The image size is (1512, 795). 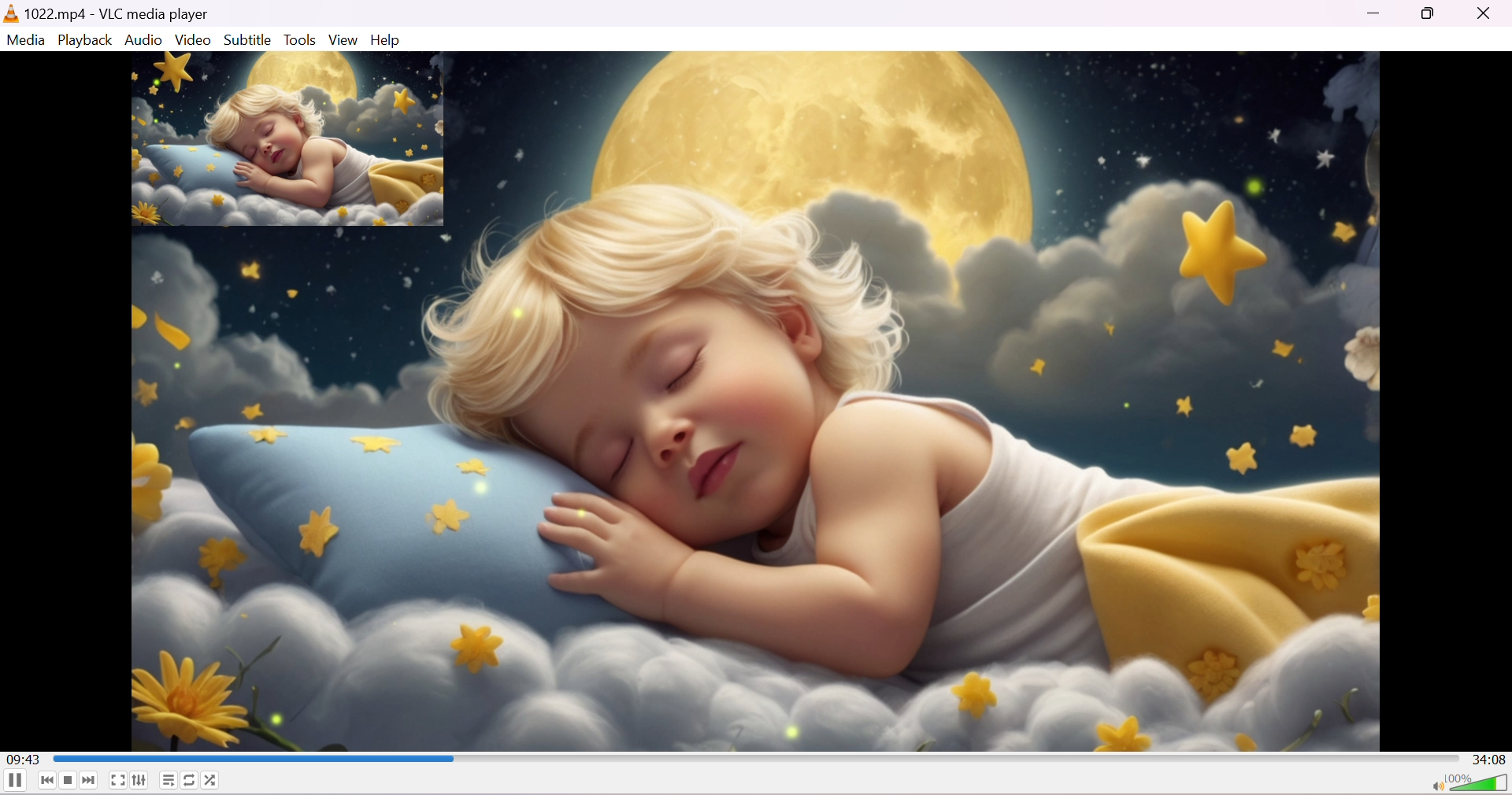 What do you see at coordinates (90, 781) in the screenshot?
I see `Next media in the playlist, skip forward when held` at bounding box center [90, 781].